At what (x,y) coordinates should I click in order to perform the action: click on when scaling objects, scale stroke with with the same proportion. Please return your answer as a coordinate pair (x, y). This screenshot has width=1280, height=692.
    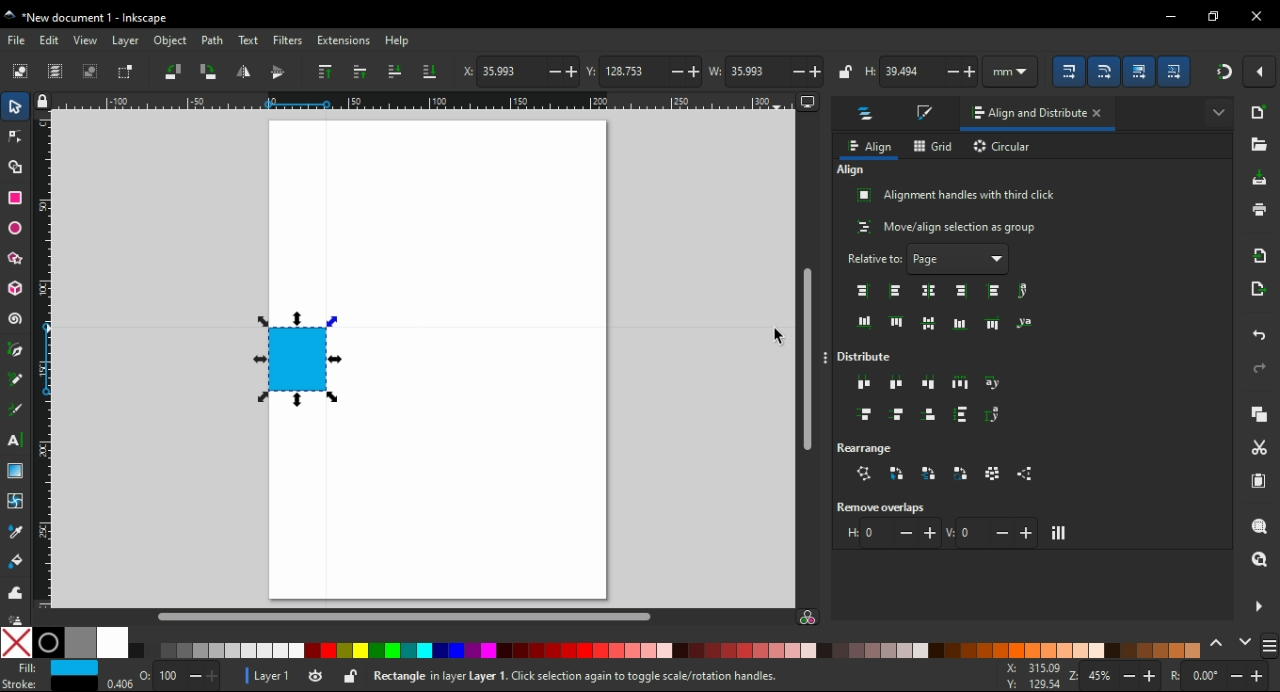
    Looking at the image, I should click on (1071, 73).